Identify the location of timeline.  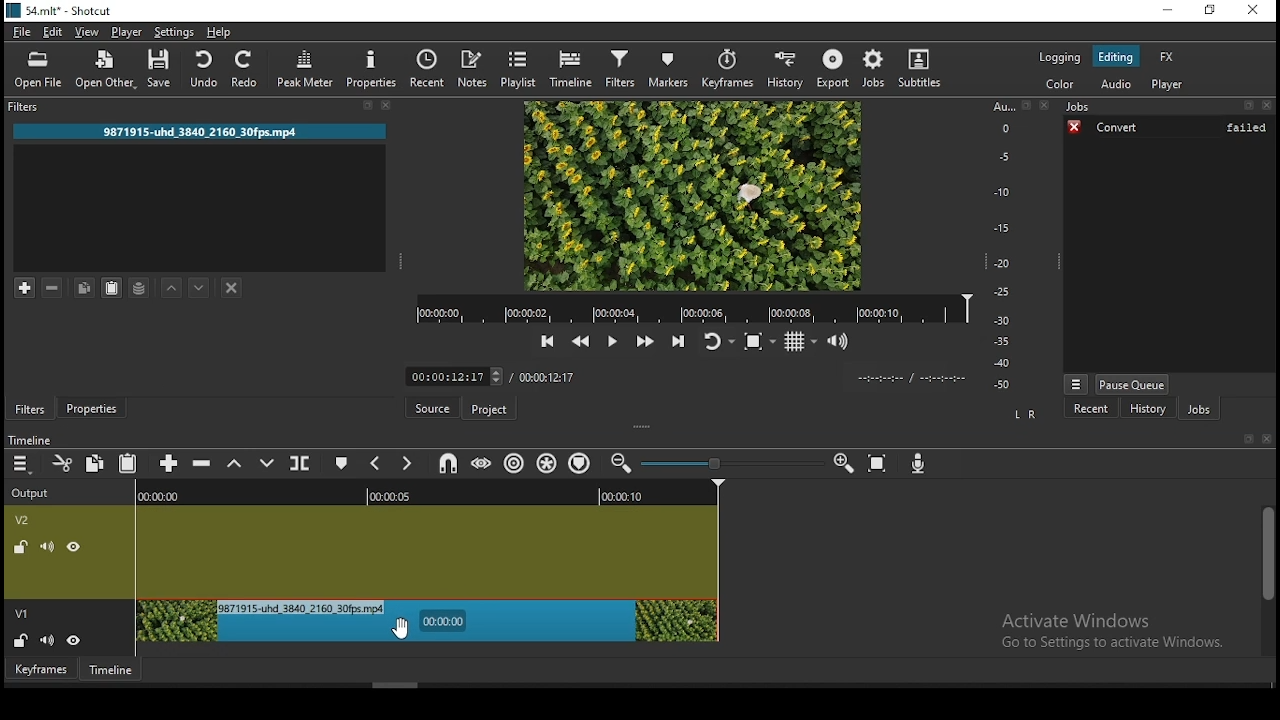
(32, 441).